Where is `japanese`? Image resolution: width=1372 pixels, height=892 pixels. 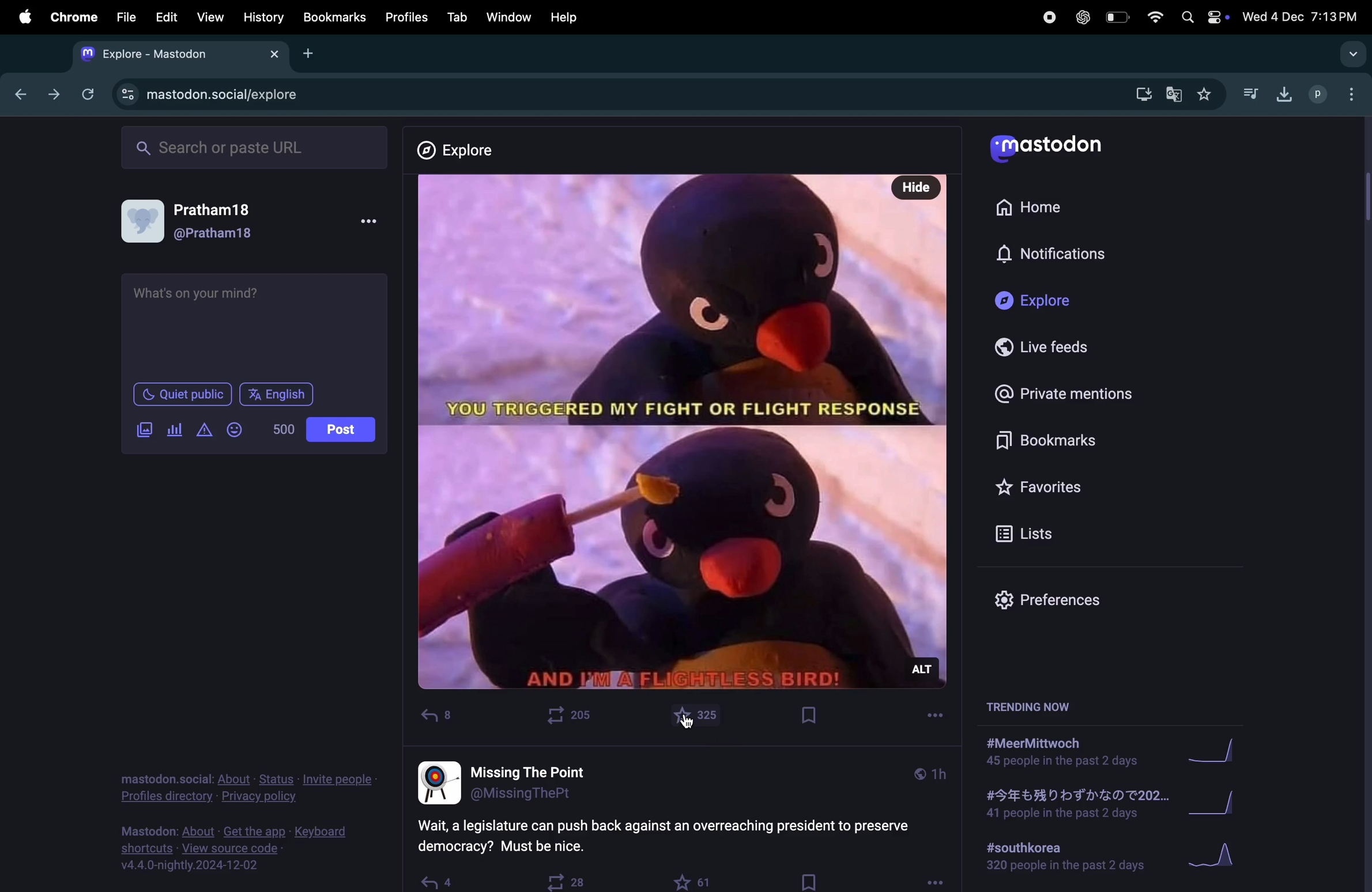 japanese is located at coordinates (1073, 802).